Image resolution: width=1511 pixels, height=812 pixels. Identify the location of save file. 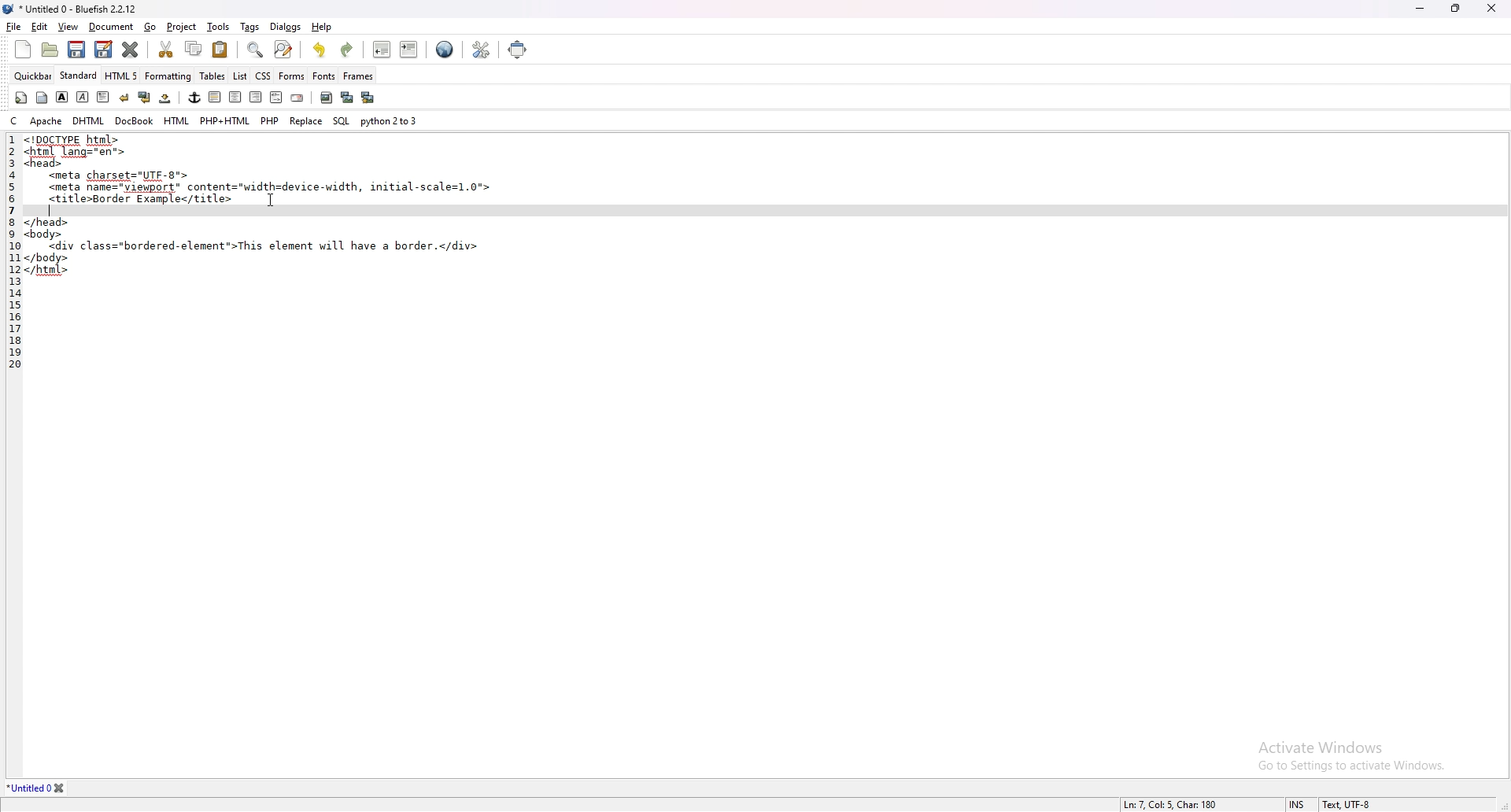
(75, 50).